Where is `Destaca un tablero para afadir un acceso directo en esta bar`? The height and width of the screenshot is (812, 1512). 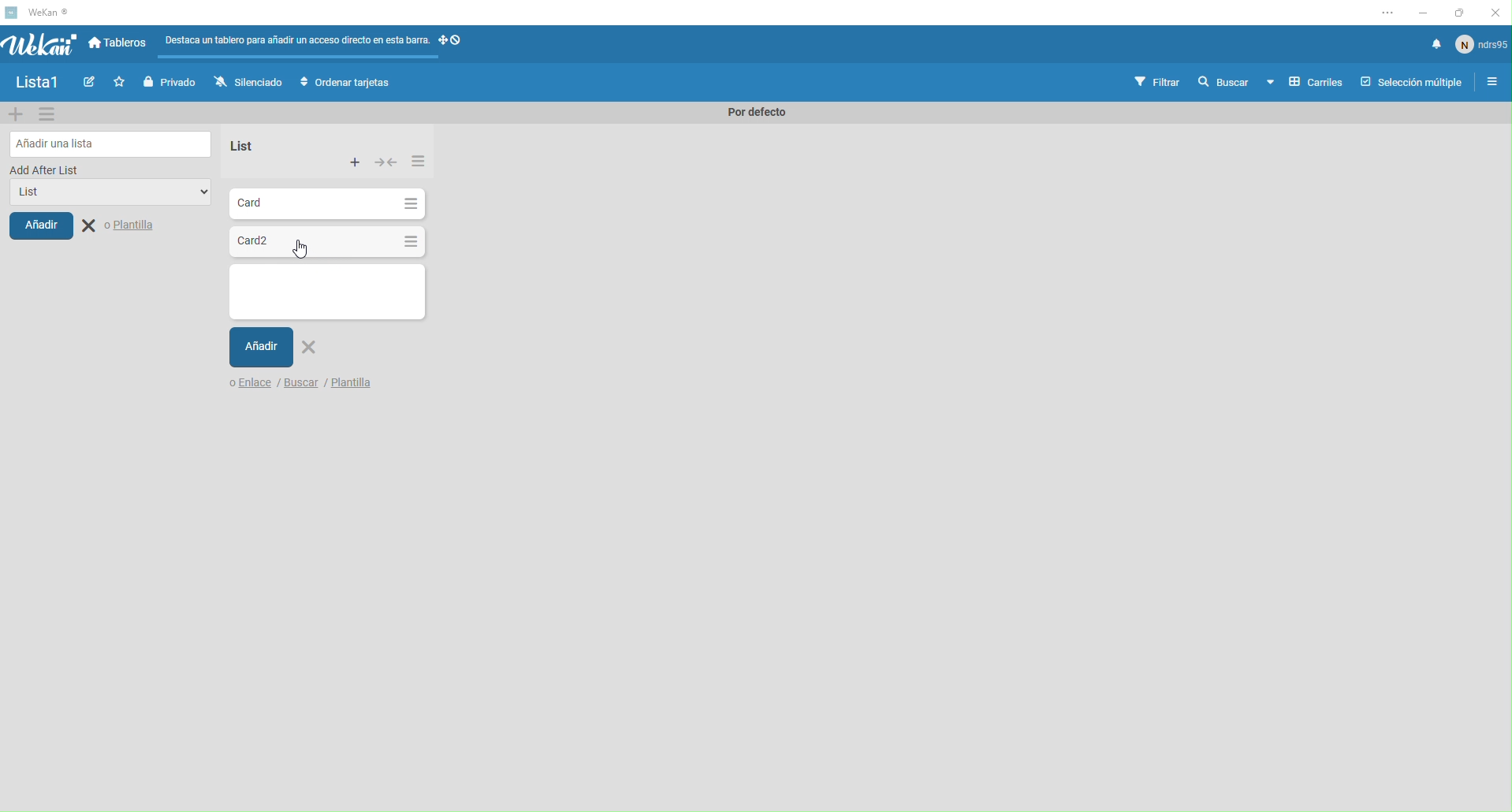
Destaca un tablero para afadir un acceso directo en esta bar is located at coordinates (296, 39).